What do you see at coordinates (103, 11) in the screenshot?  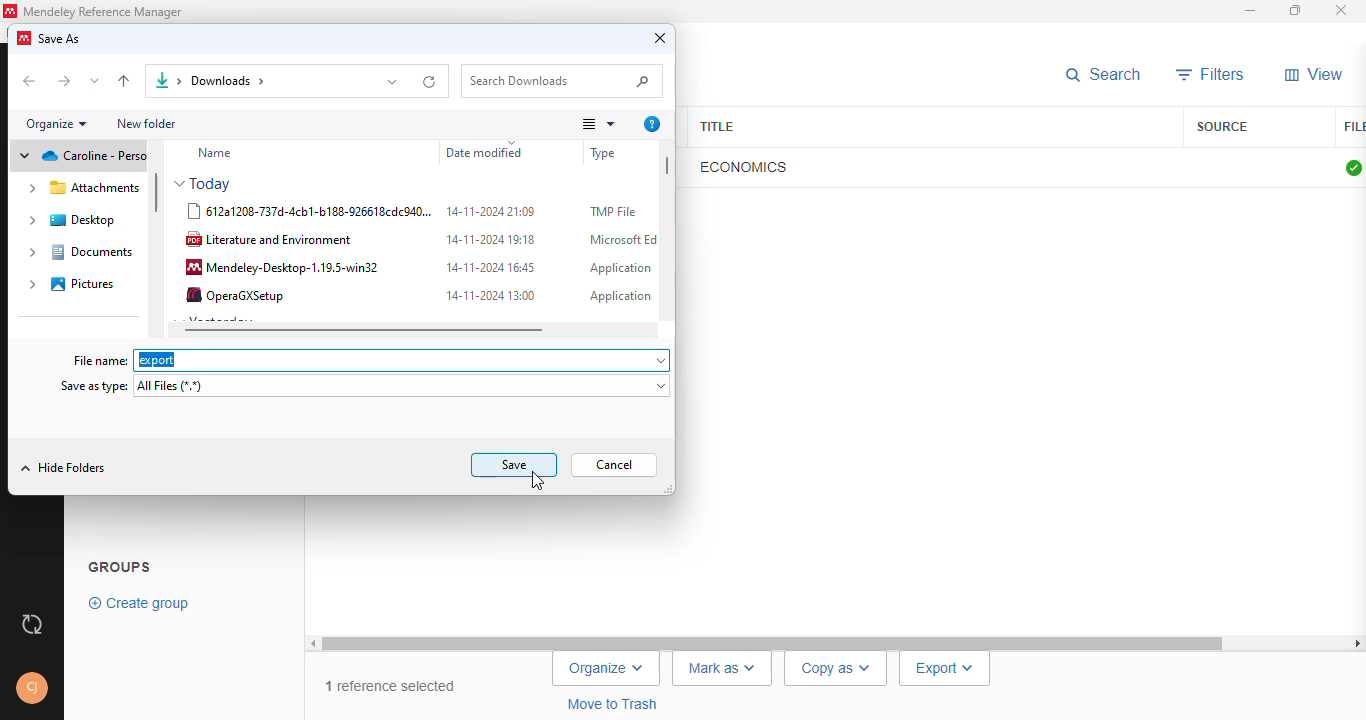 I see `mendeley reference manager` at bounding box center [103, 11].